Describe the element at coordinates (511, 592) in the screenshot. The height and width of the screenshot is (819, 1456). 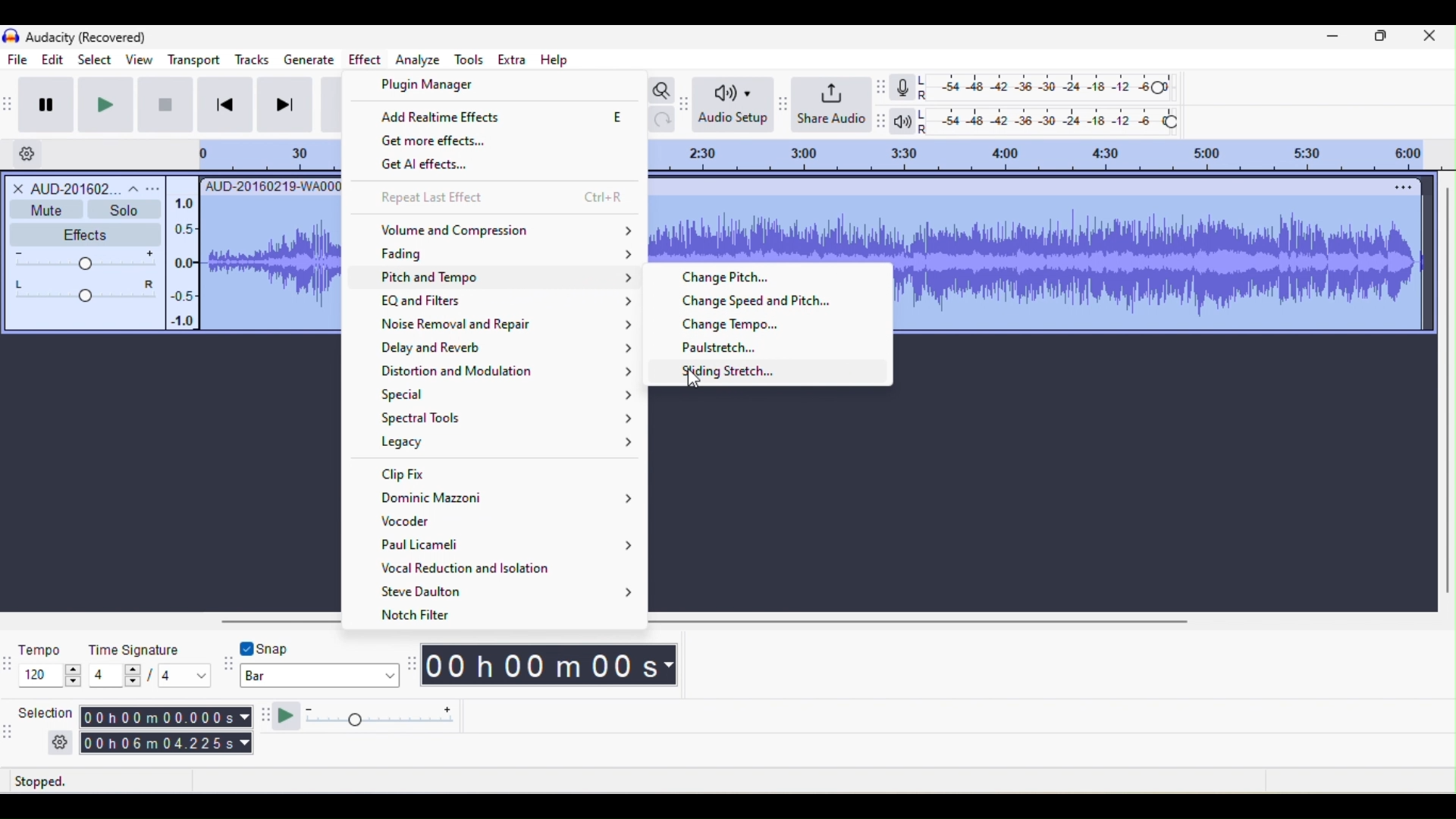
I see `steve daulton` at that location.